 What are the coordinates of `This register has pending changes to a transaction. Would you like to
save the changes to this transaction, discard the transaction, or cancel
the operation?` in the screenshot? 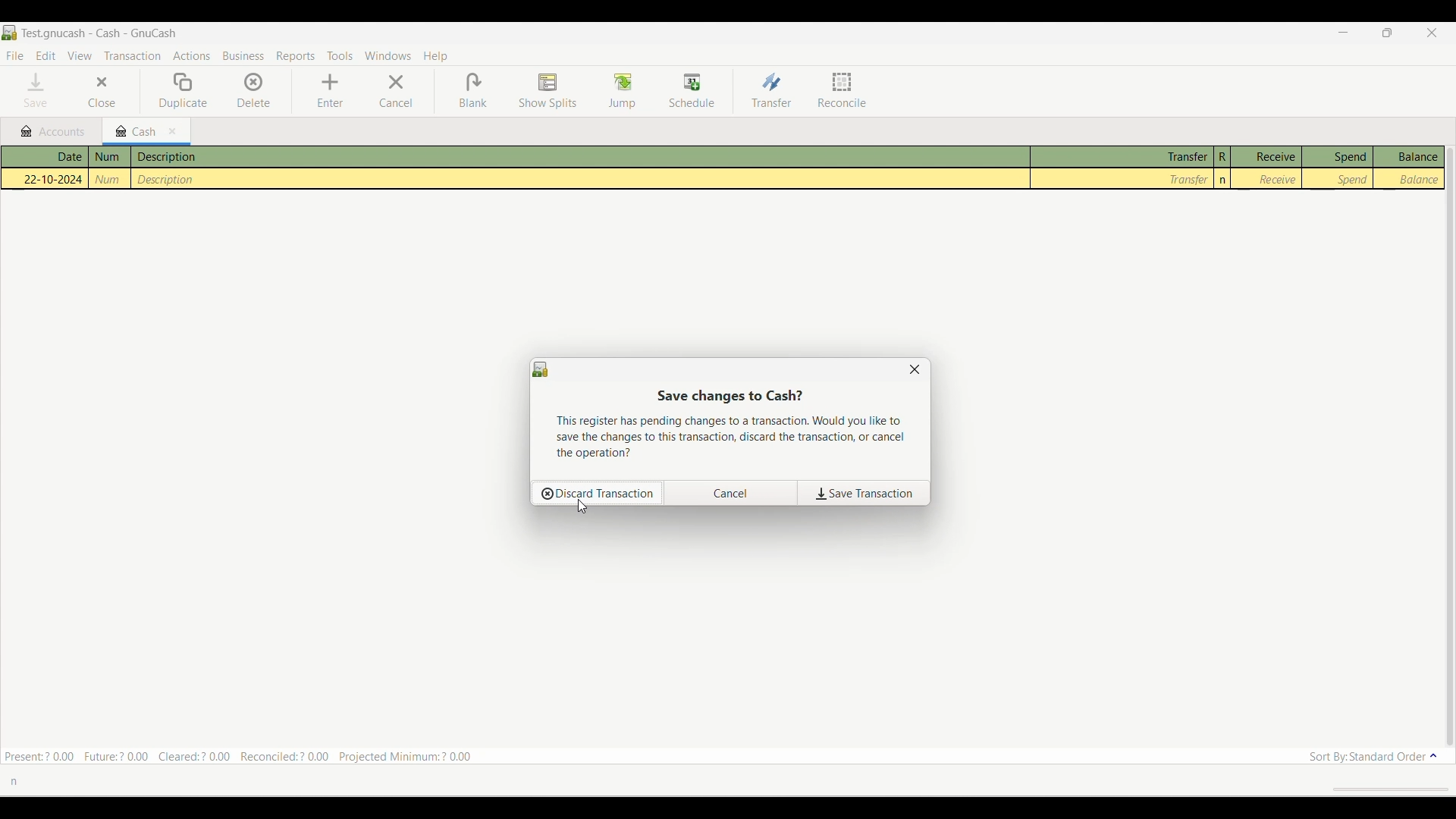 It's located at (736, 439).